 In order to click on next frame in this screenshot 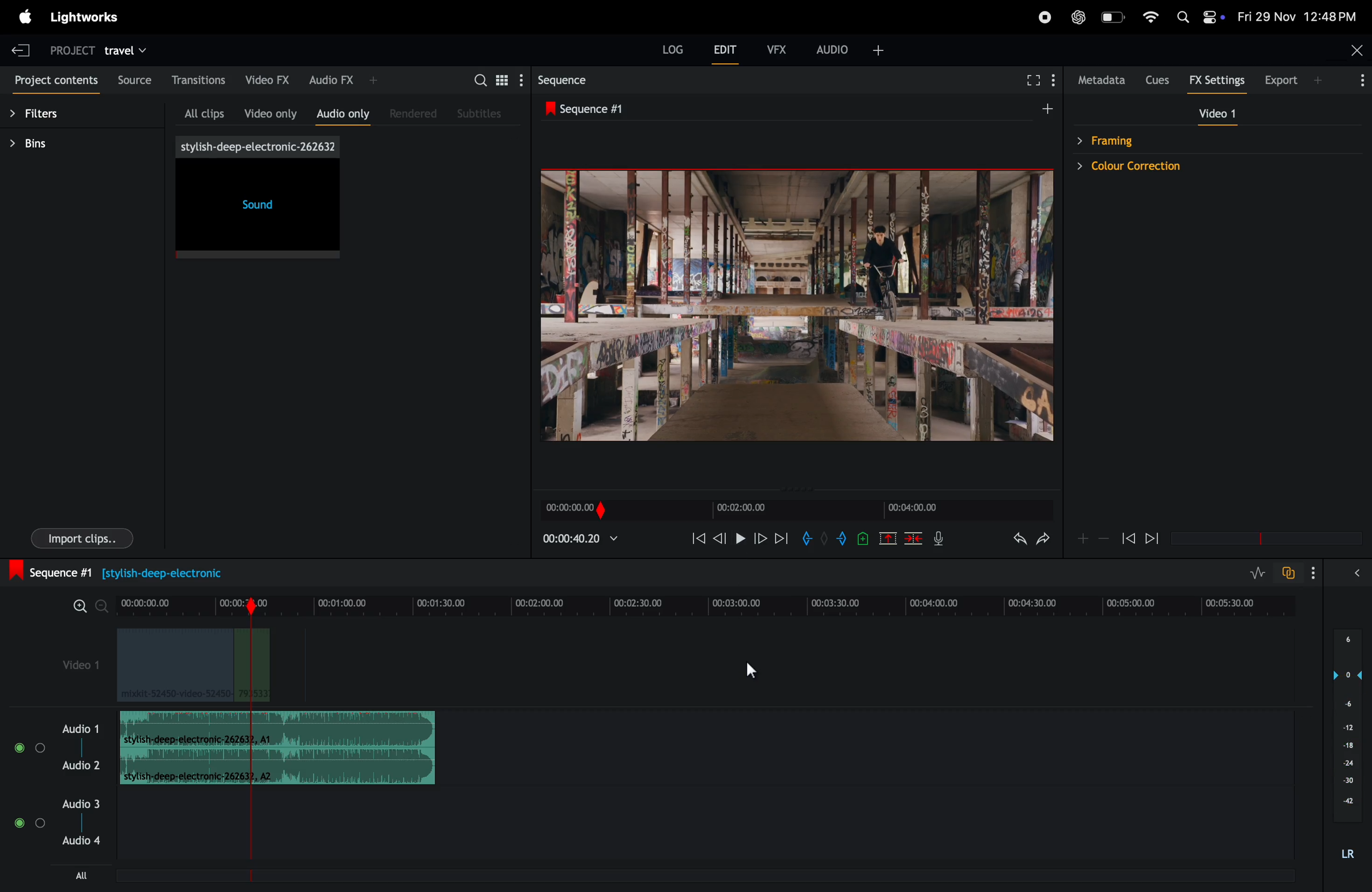, I will do `click(763, 537)`.